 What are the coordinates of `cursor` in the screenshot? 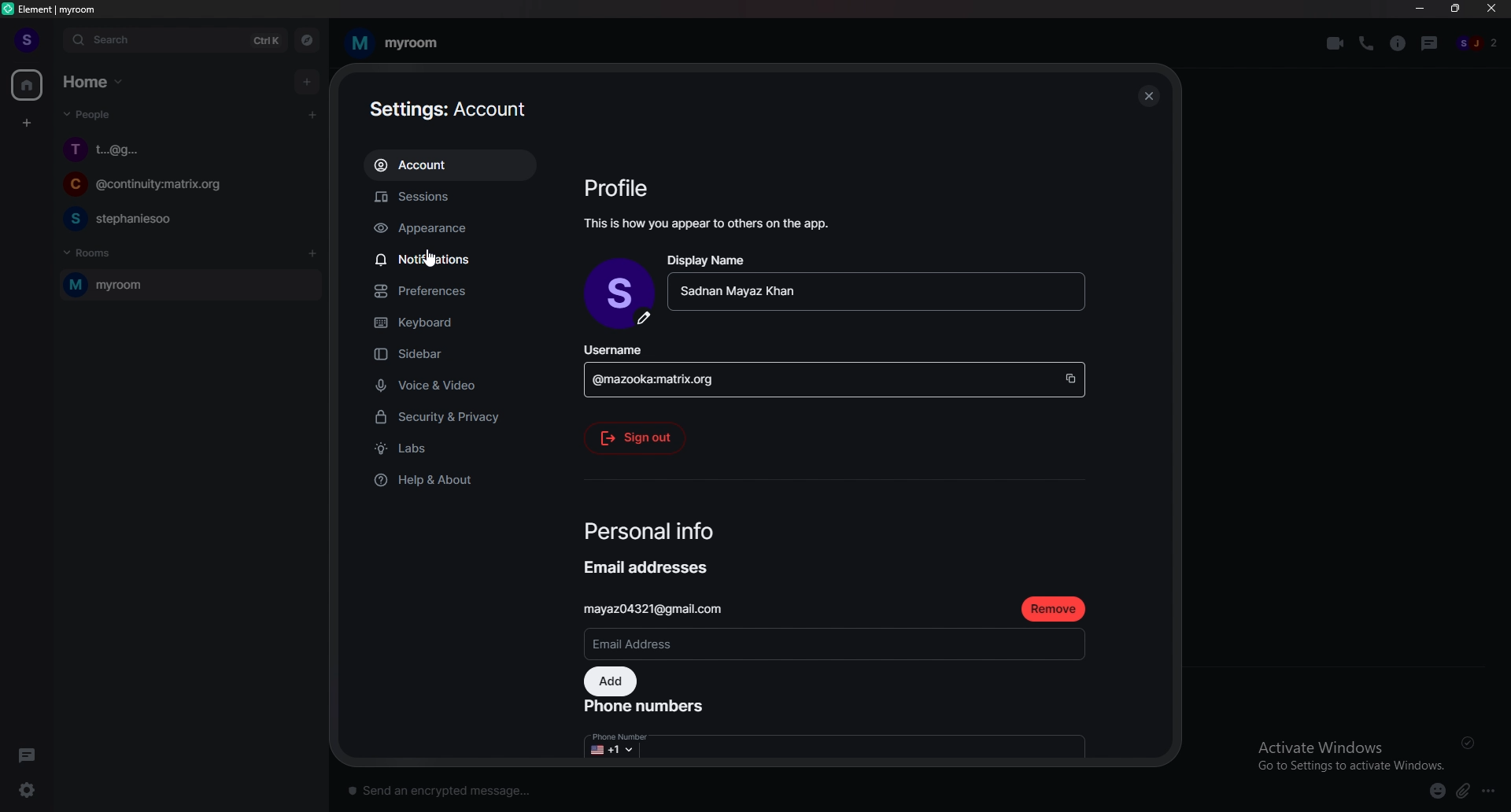 It's located at (430, 261).